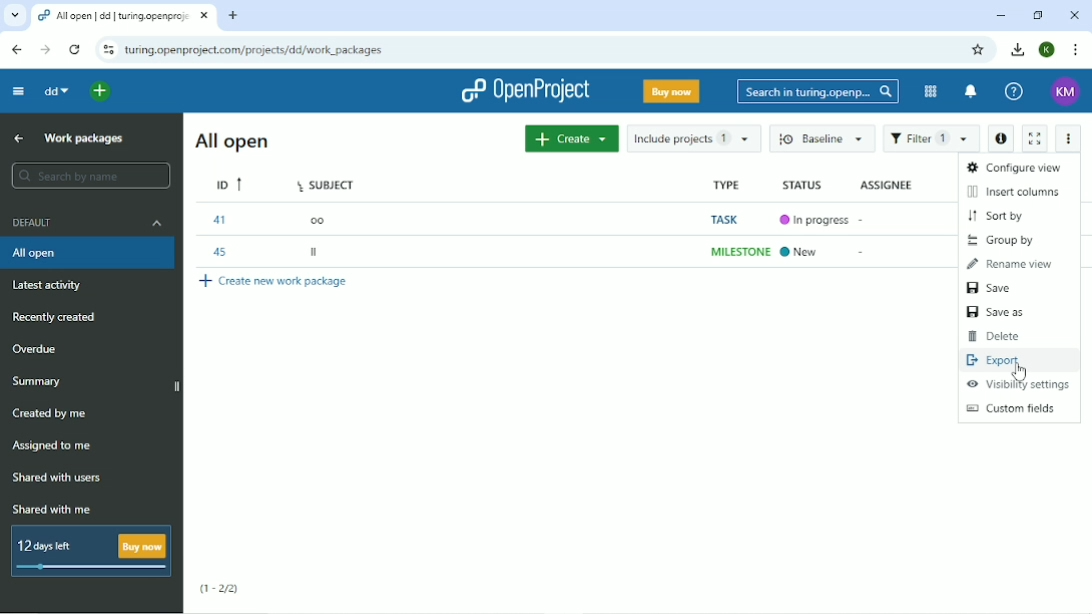 Image resolution: width=1092 pixels, height=614 pixels. Describe the element at coordinates (18, 91) in the screenshot. I see `Collapse project menu` at that location.